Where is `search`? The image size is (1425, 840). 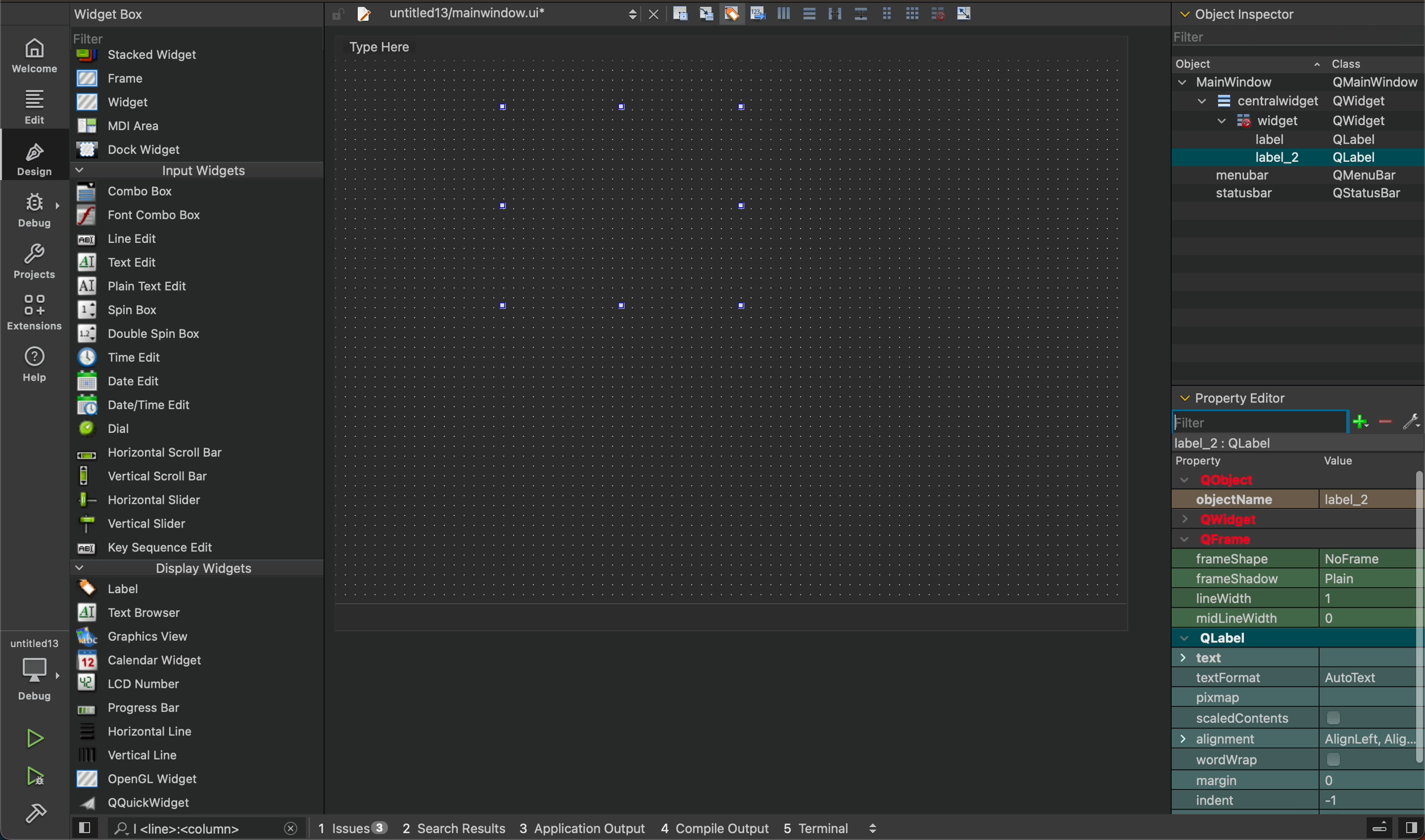
search is located at coordinates (192, 829).